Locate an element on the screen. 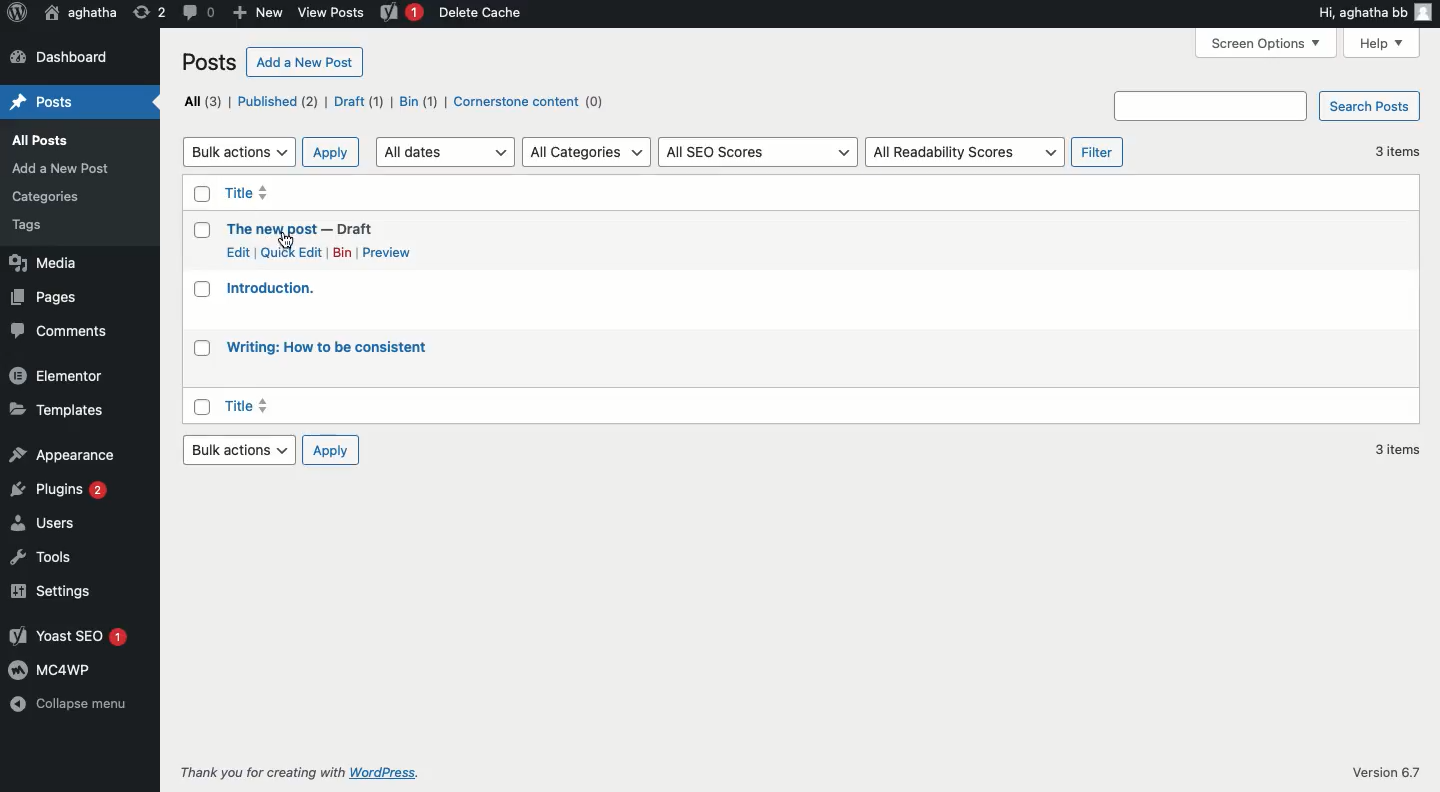  Templates is located at coordinates (62, 410).